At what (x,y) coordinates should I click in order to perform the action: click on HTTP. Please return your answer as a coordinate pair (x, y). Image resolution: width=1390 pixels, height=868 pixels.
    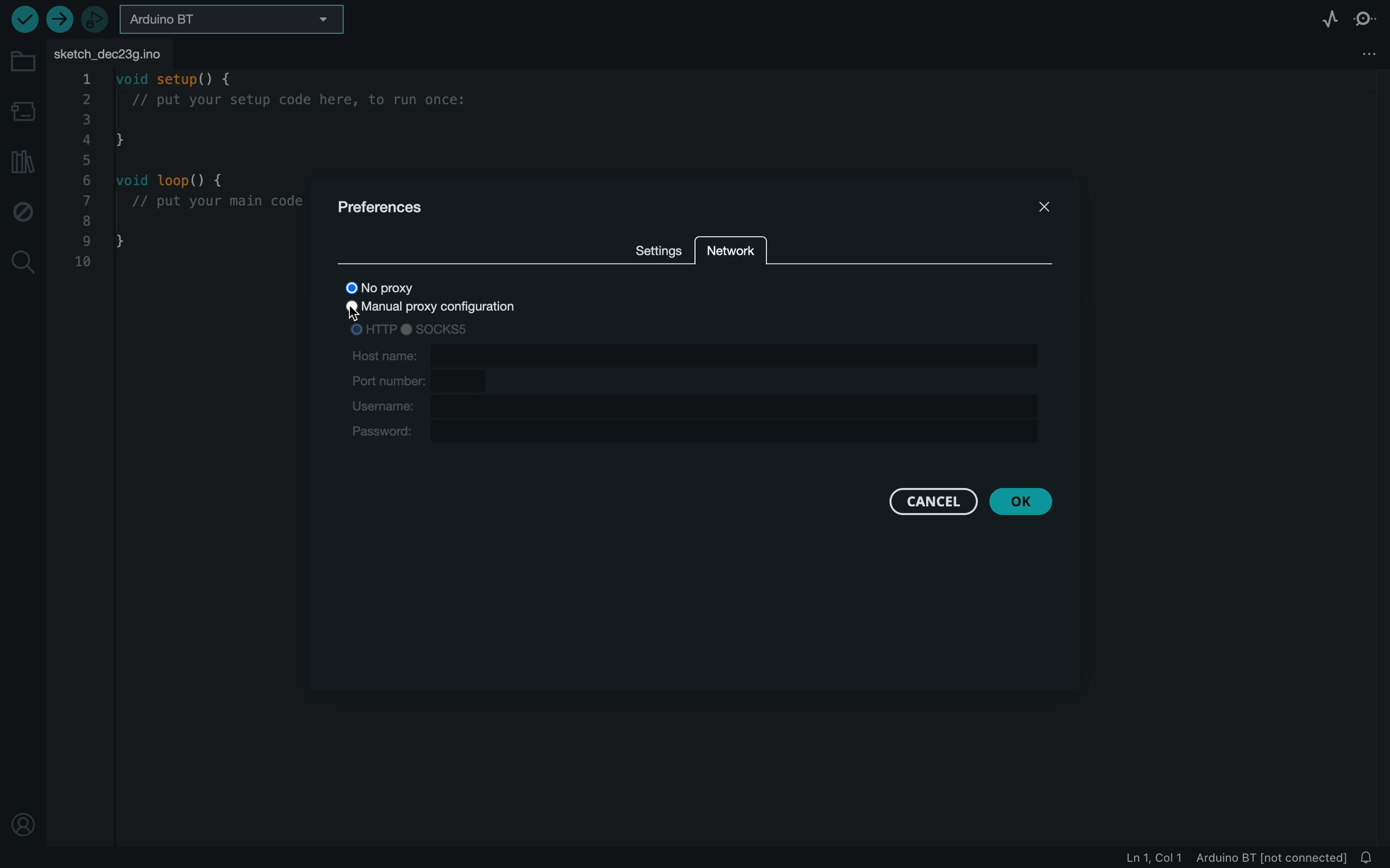
    Looking at the image, I should click on (372, 328).